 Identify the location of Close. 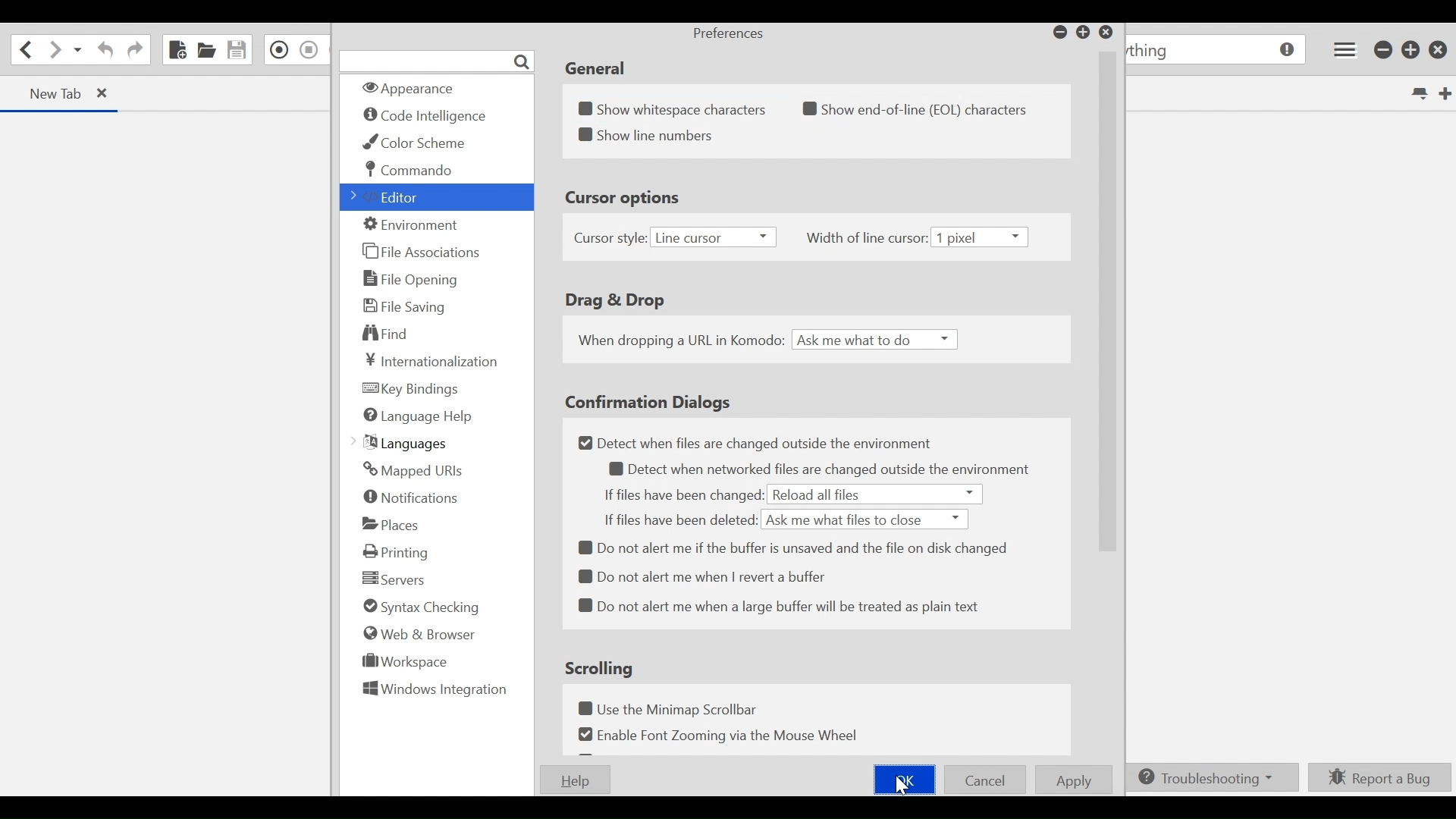
(1439, 50).